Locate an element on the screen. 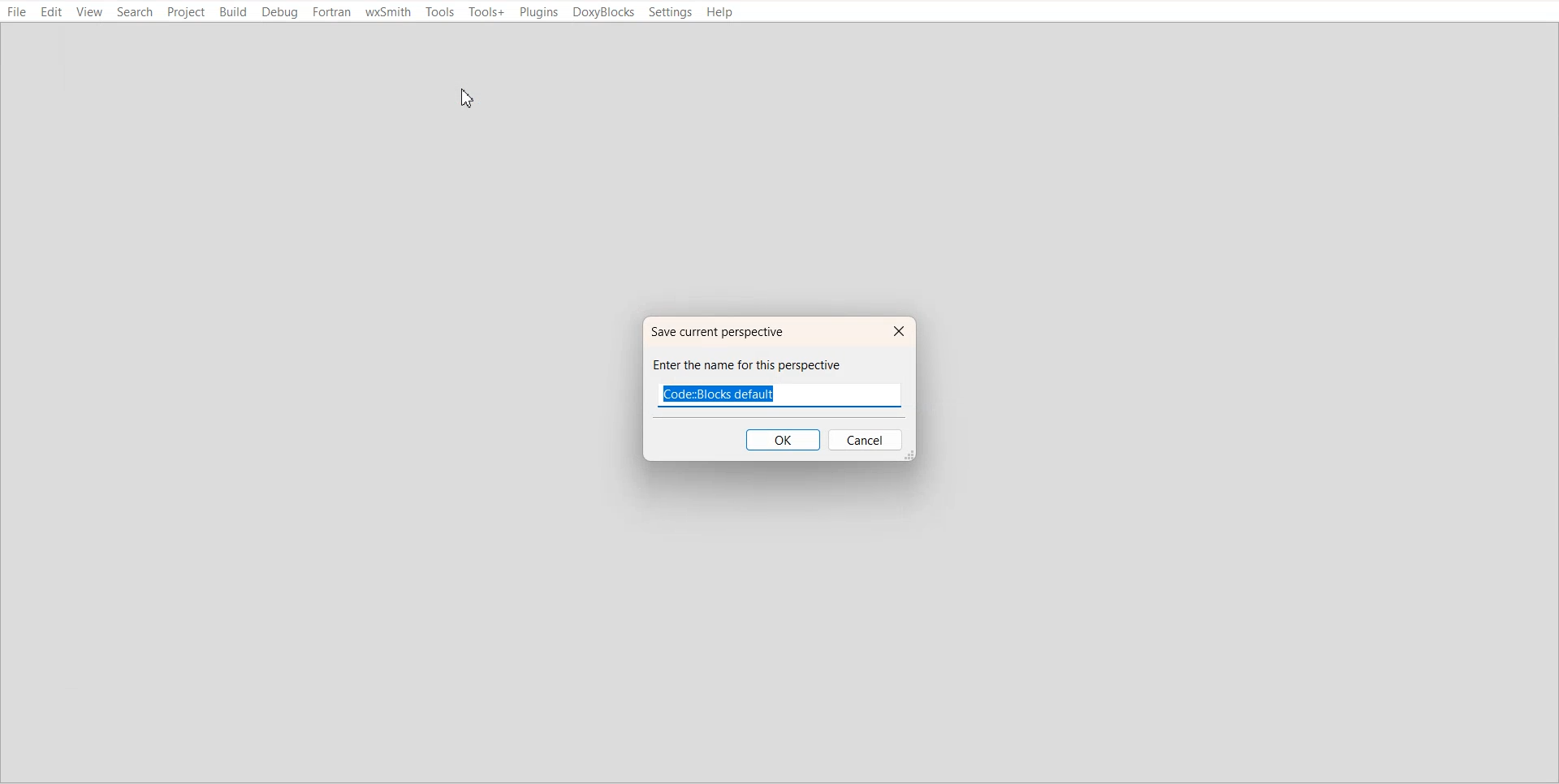 This screenshot has height=784, width=1559. Build is located at coordinates (234, 12).